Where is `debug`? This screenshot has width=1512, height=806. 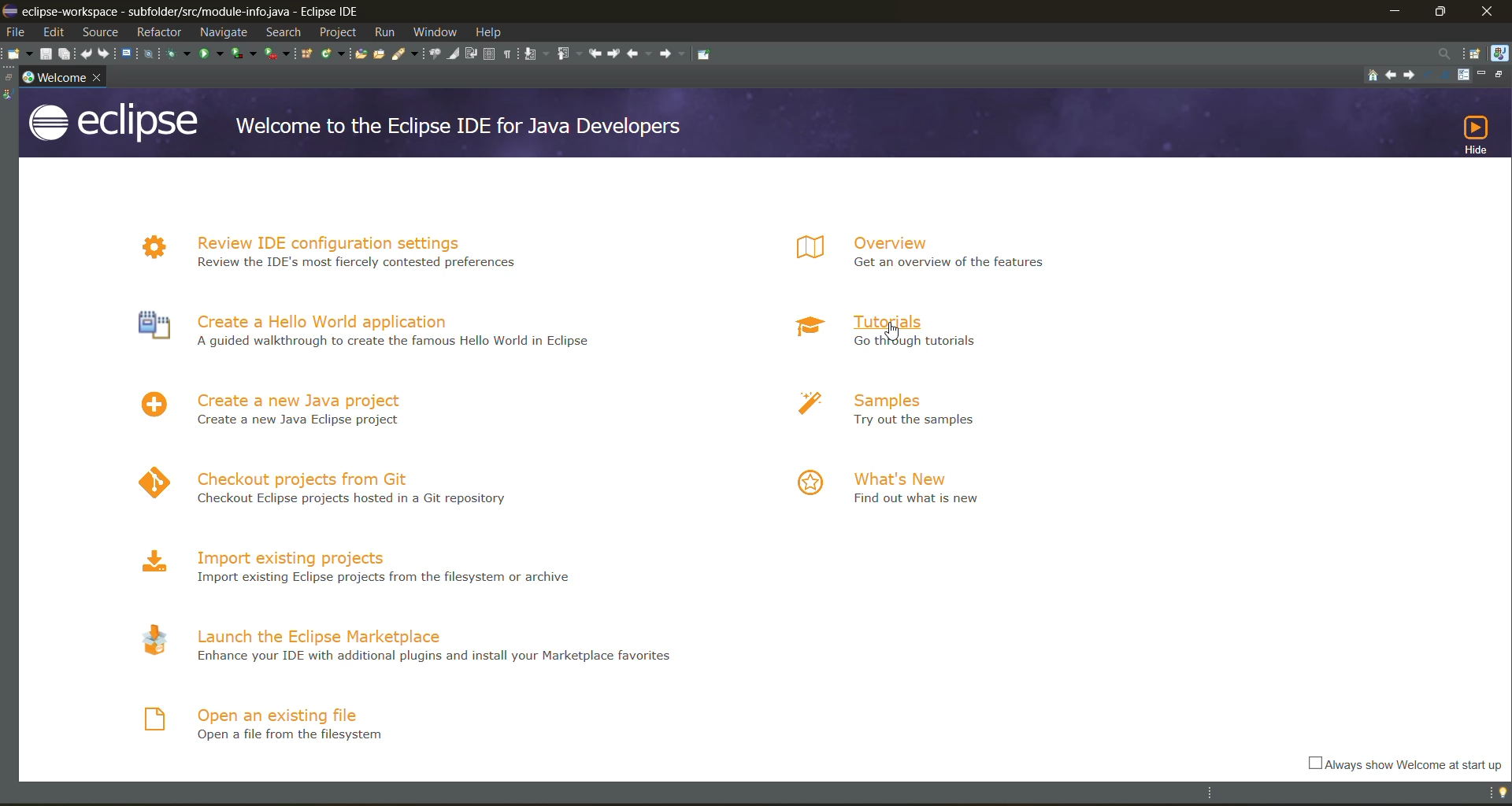
debug is located at coordinates (180, 57).